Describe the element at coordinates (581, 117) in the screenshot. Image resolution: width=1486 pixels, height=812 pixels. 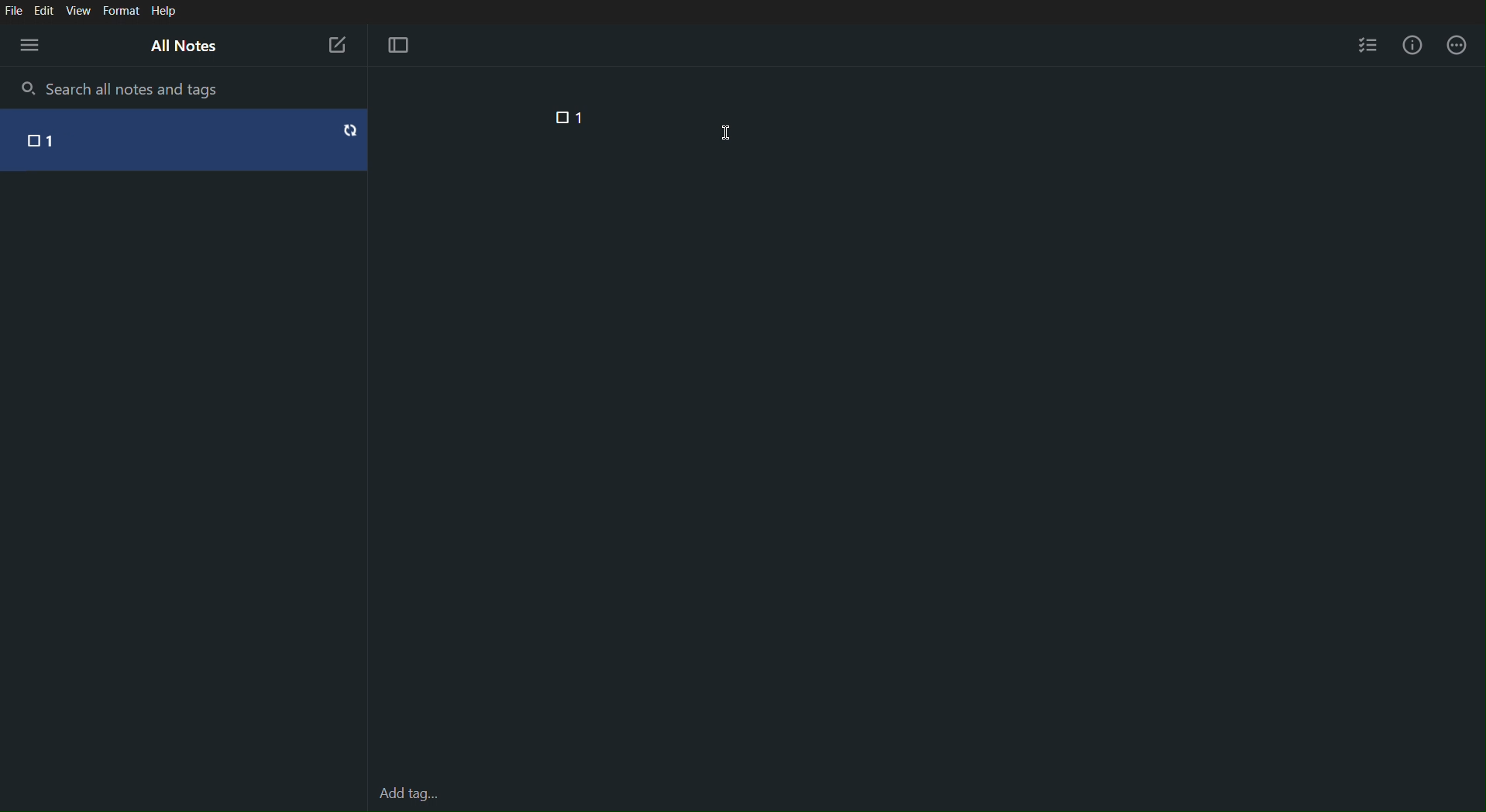
I see `1` at that location.